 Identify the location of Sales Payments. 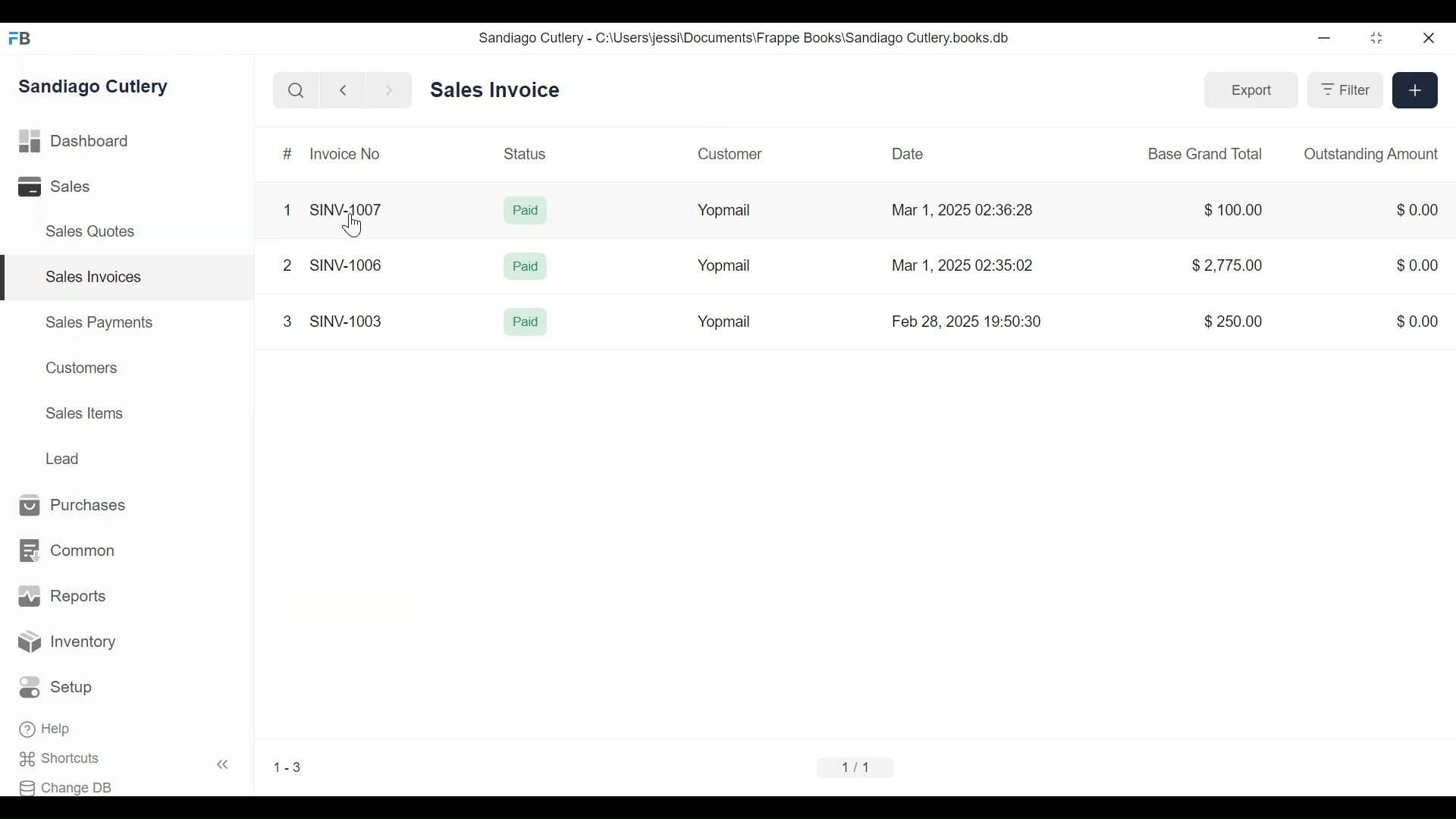
(99, 322).